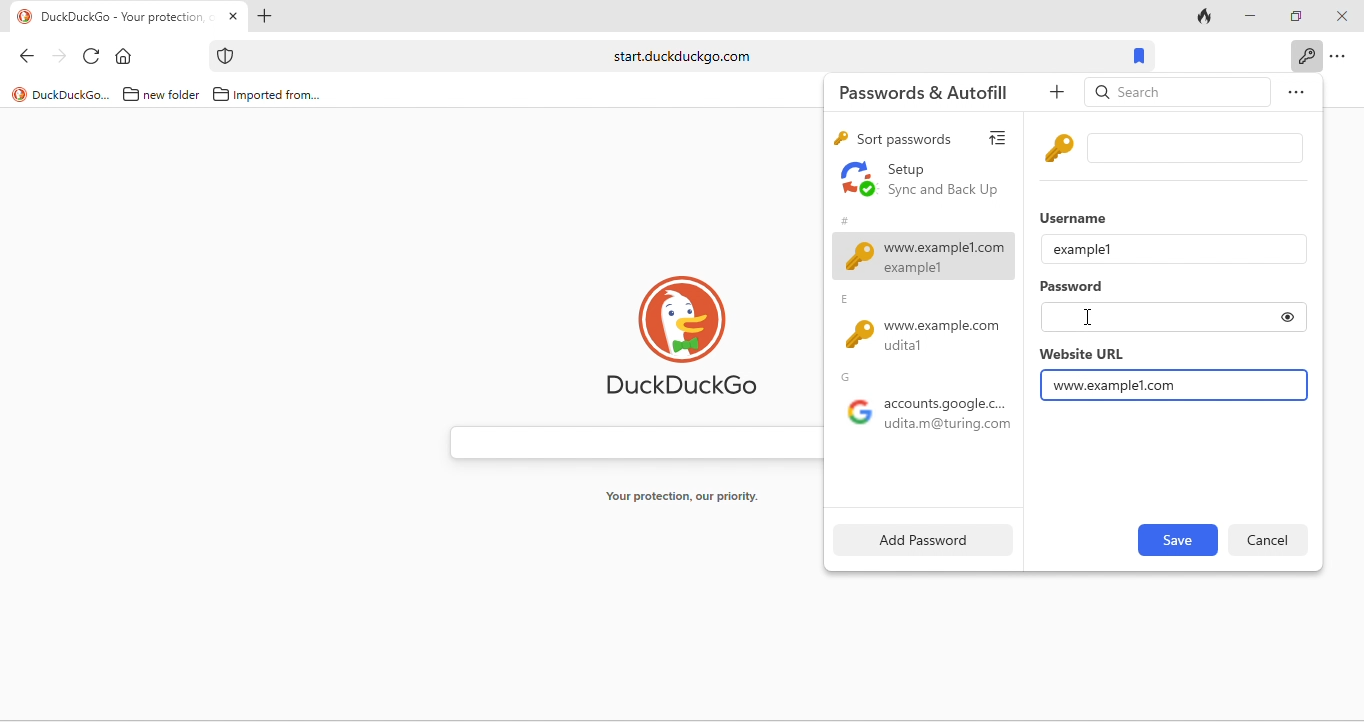 This screenshot has width=1364, height=722. I want to click on option, so click(1340, 57).